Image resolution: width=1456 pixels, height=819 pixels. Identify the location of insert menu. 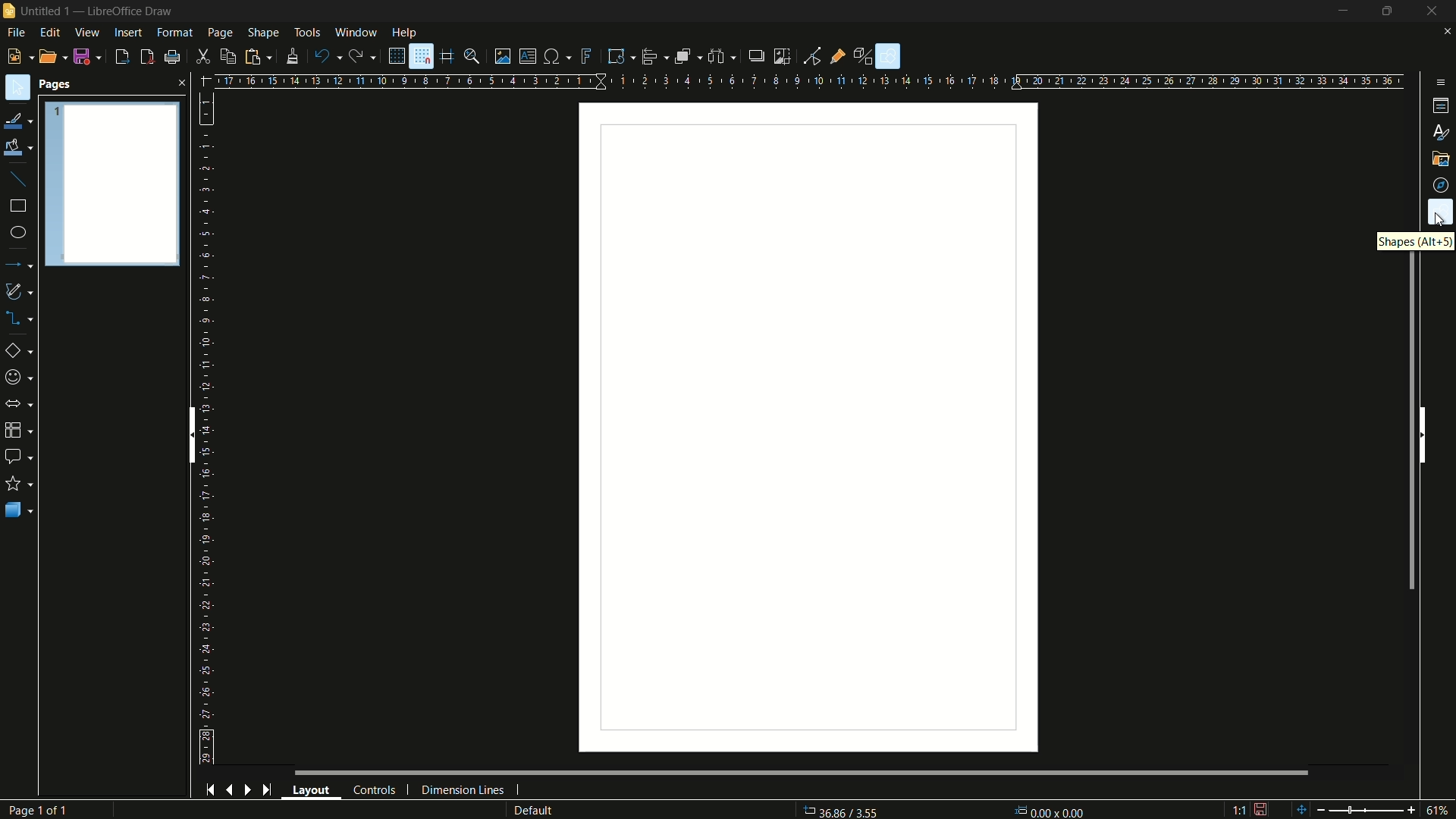
(128, 32).